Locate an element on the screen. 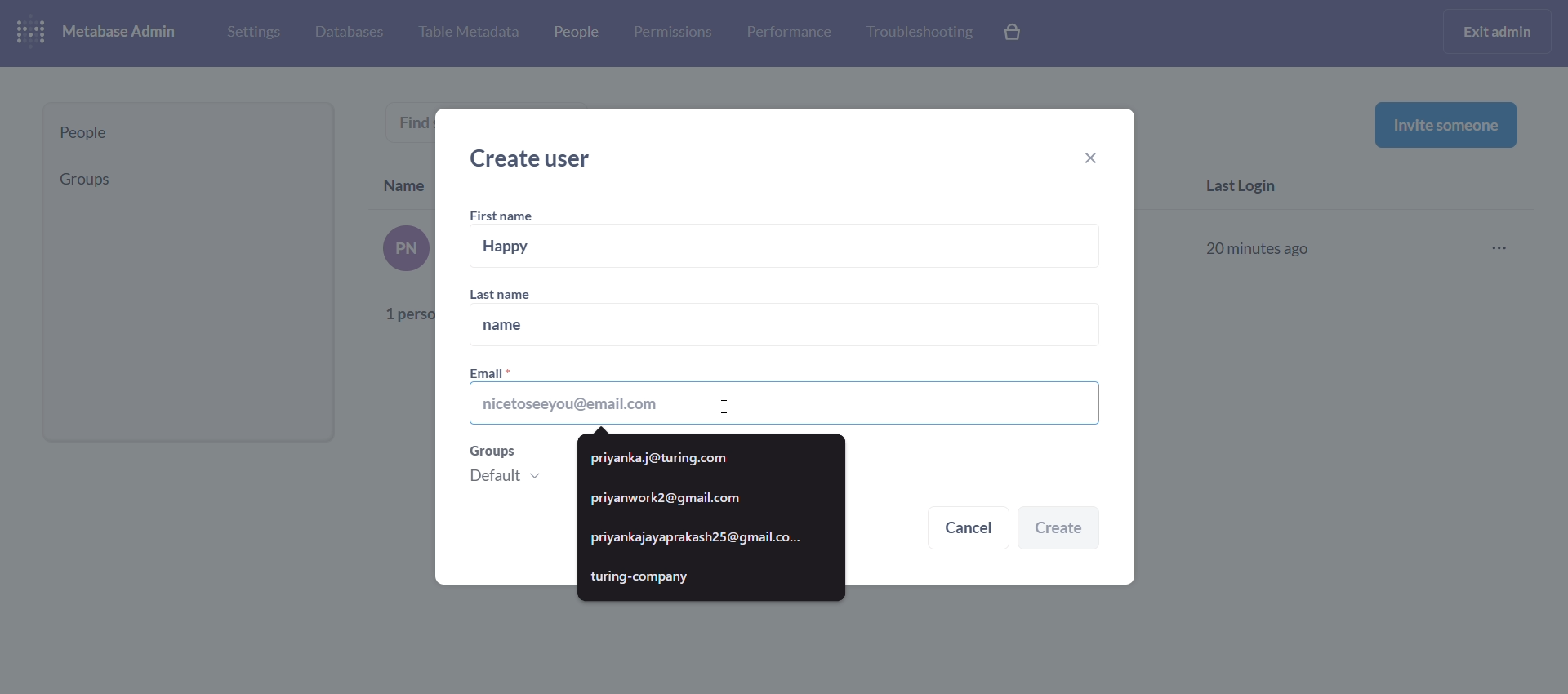 Image resolution: width=1568 pixels, height=694 pixels. text is located at coordinates (416, 121).